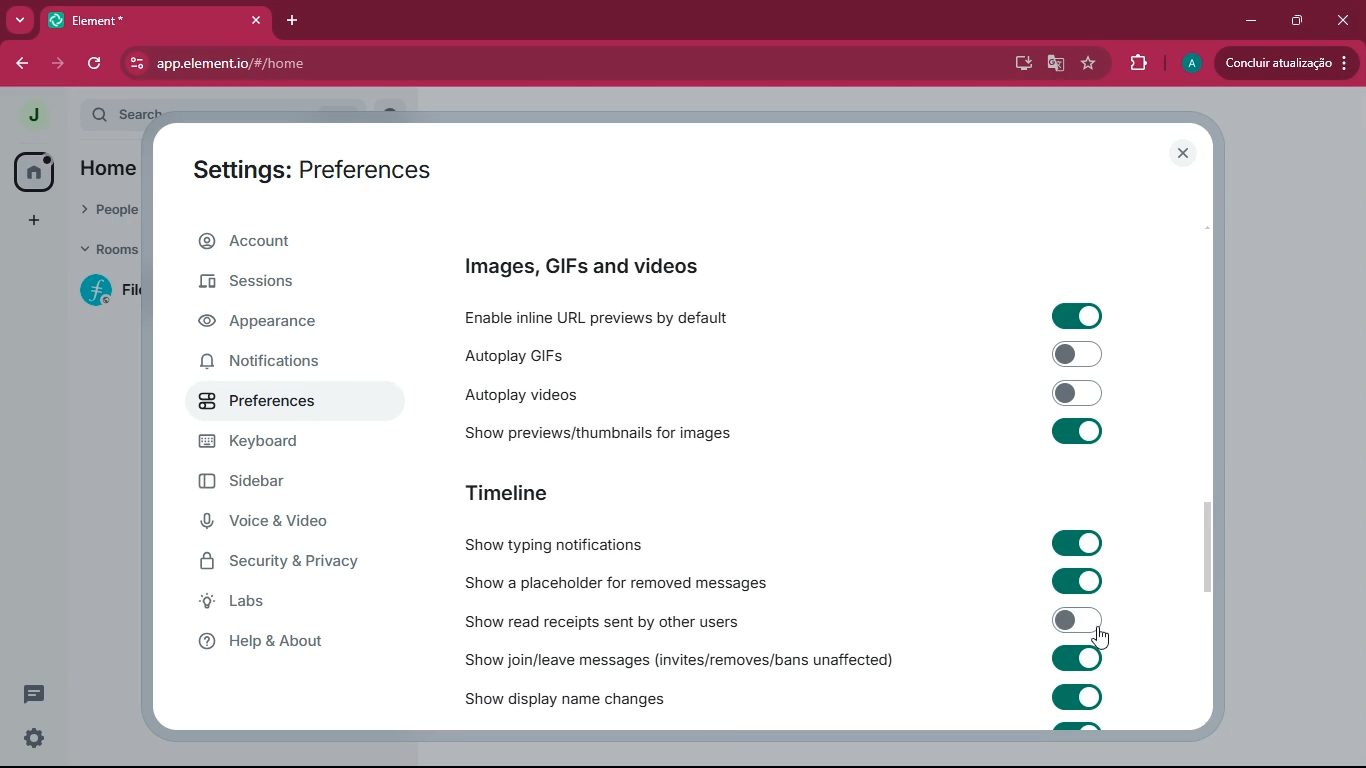  What do you see at coordinates (287, 285) in the screenshot?
I see `sessions` at bounding box center [287, 285].